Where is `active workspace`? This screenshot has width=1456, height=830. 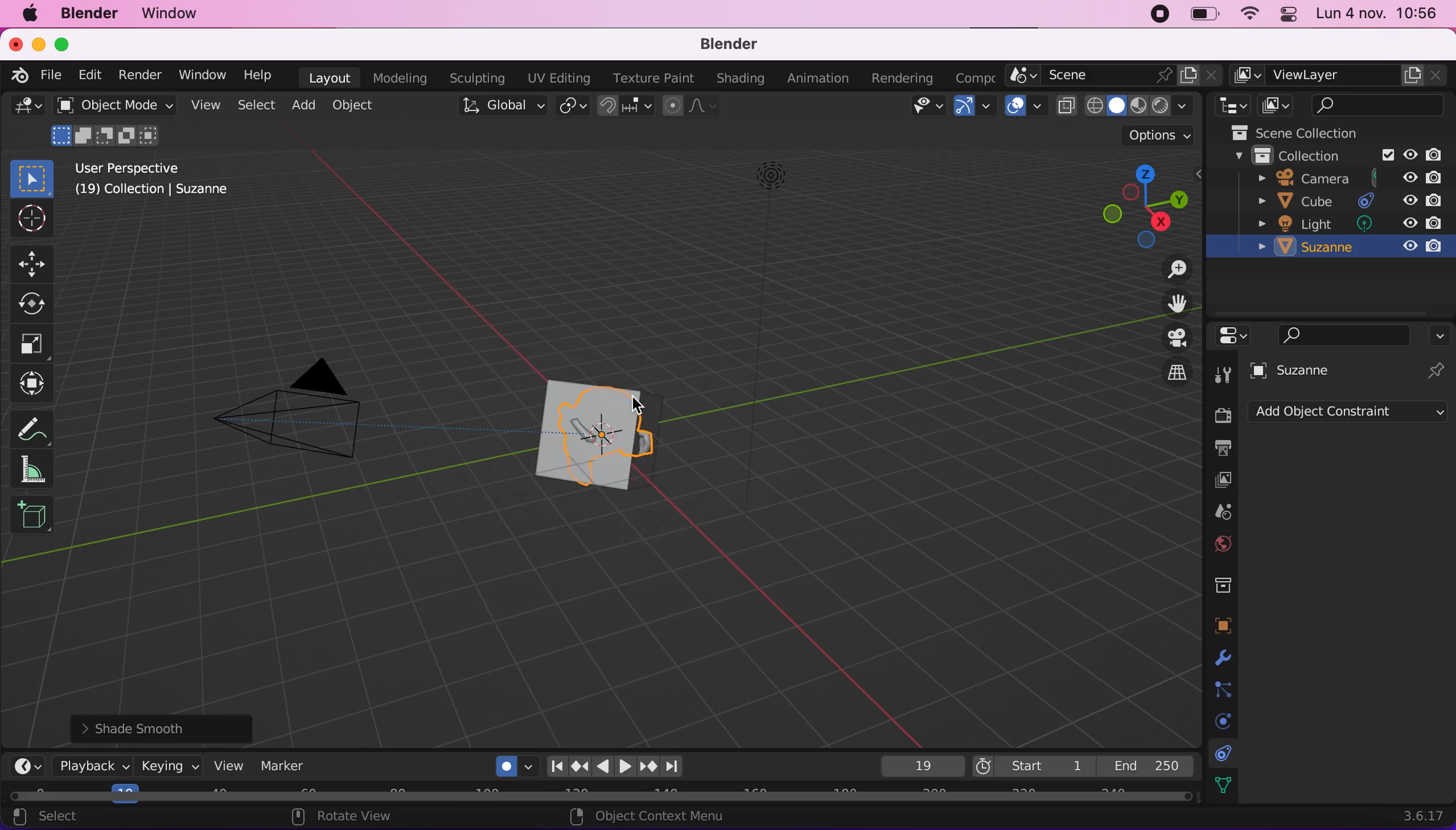
active workspace is located at coordinates (976, 75).